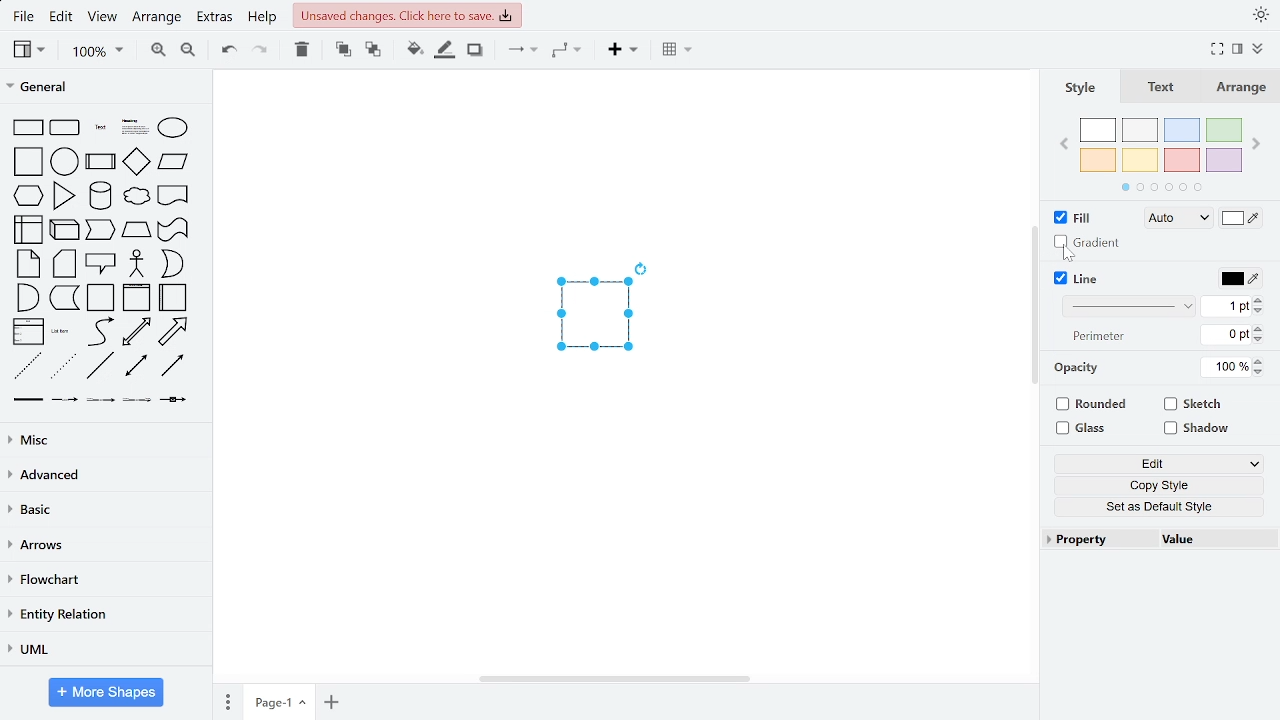 This screenshot has width=1280, height=720. What do you see at coordinates (136, 331) in the screenshot?
I see `general shapes` at bounding box center [136, 331].